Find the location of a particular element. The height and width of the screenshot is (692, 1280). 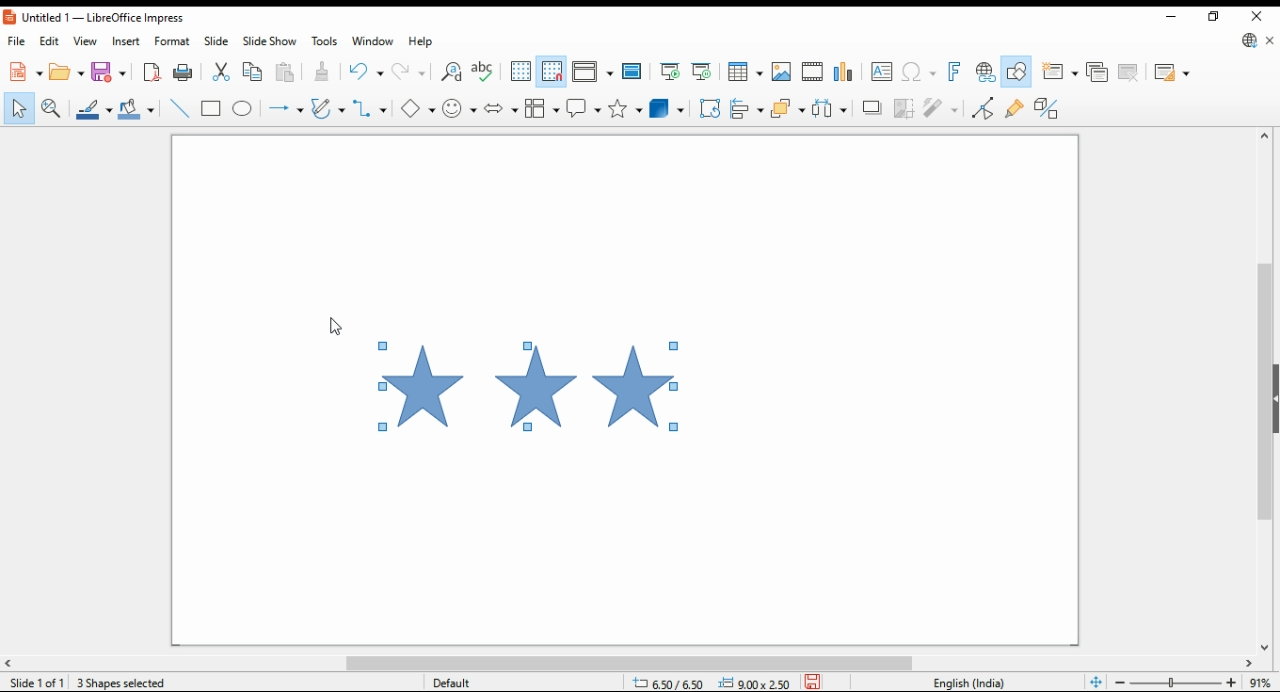

fit page to window is located at coordinates (1097, 681).